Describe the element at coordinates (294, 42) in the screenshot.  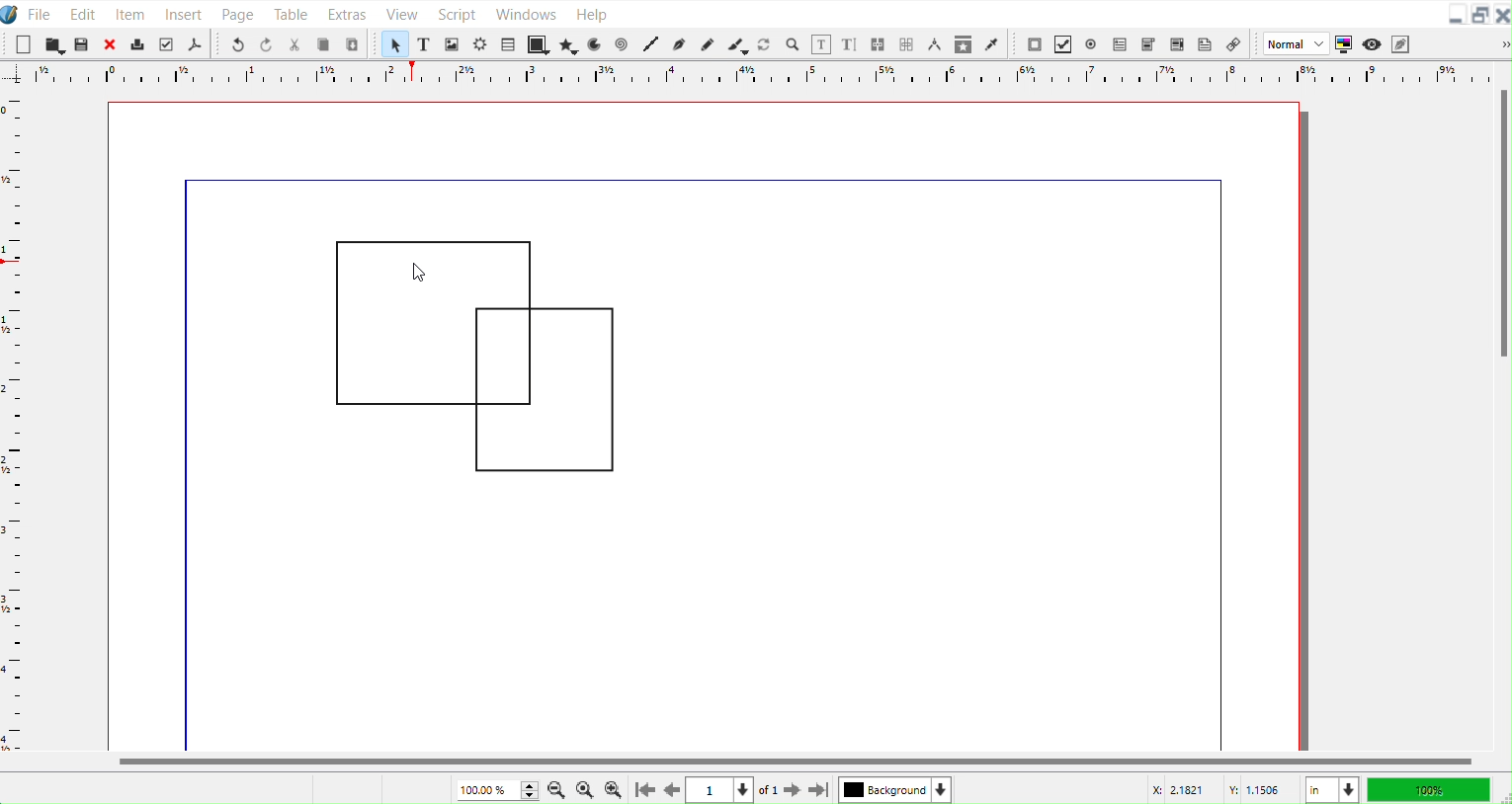
I see `Cut` at that location.